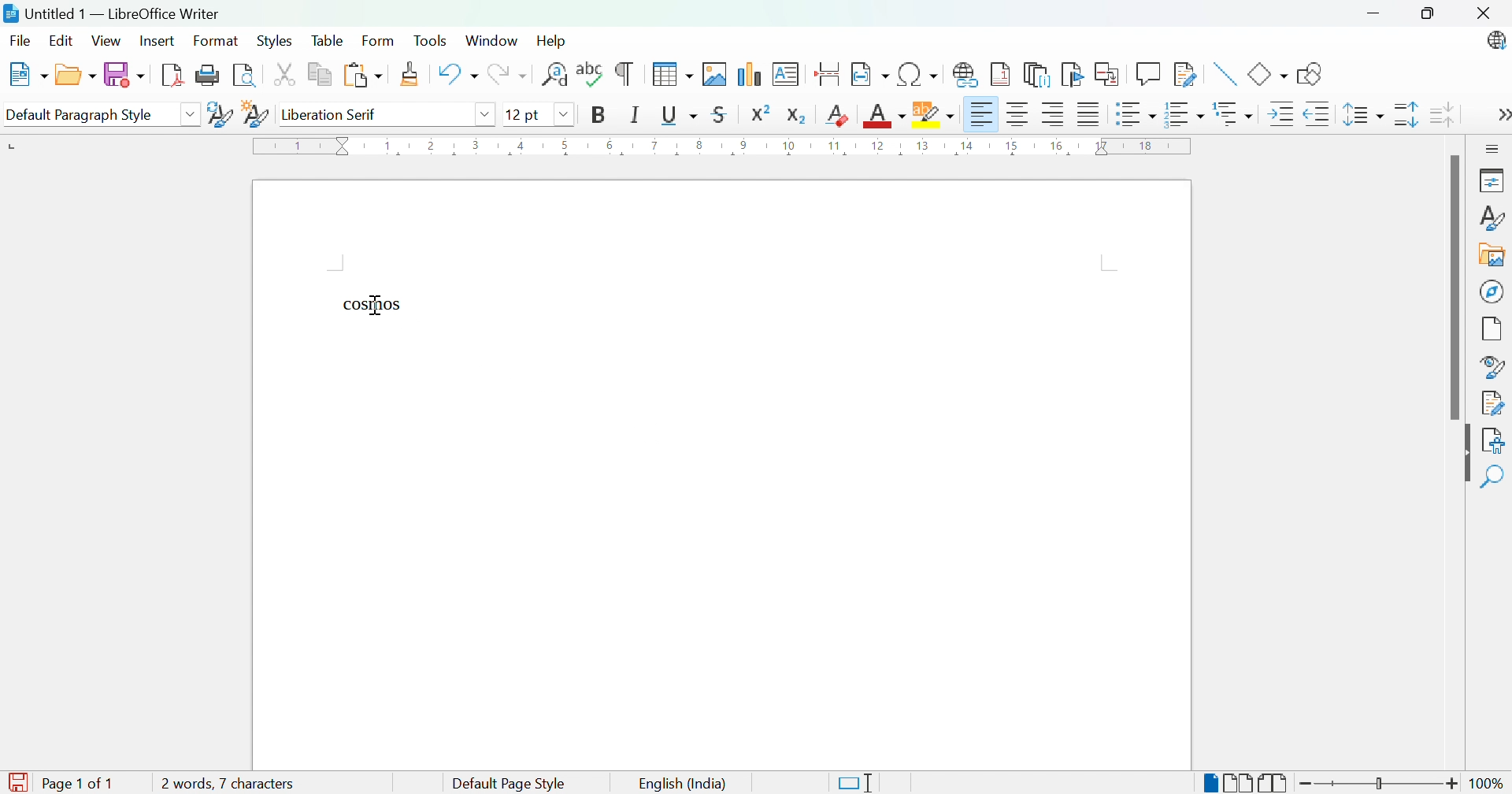 The height and width of the screenshot is (794, 1512). What do you see at coordinates (1308, 785) in the screenshot?
I see `Zoom out` at bounding box center [1308, 785].